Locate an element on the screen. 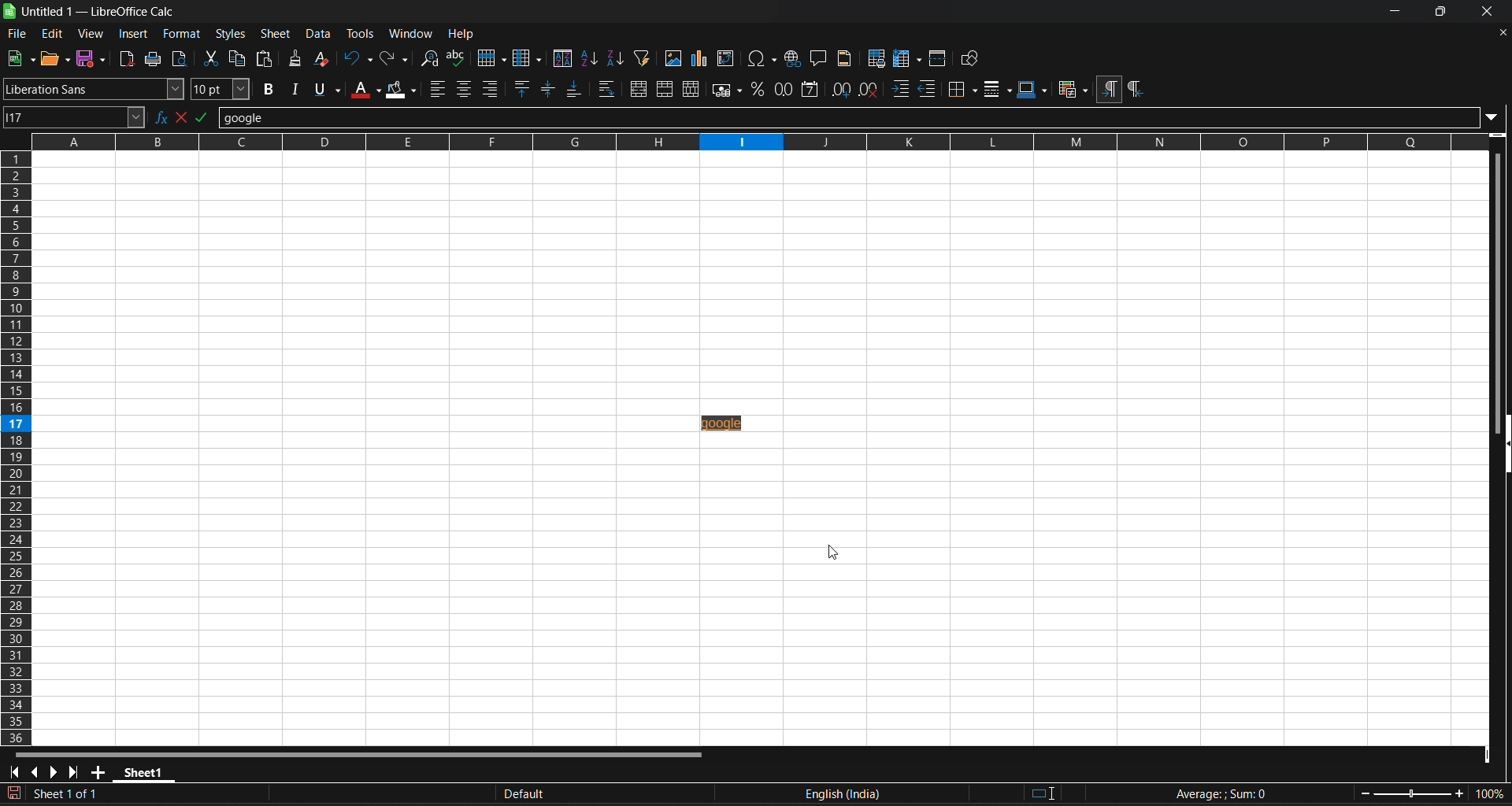 The height and width of the screenshot is (806, 1512). tools is located at coordinates (359, 33).